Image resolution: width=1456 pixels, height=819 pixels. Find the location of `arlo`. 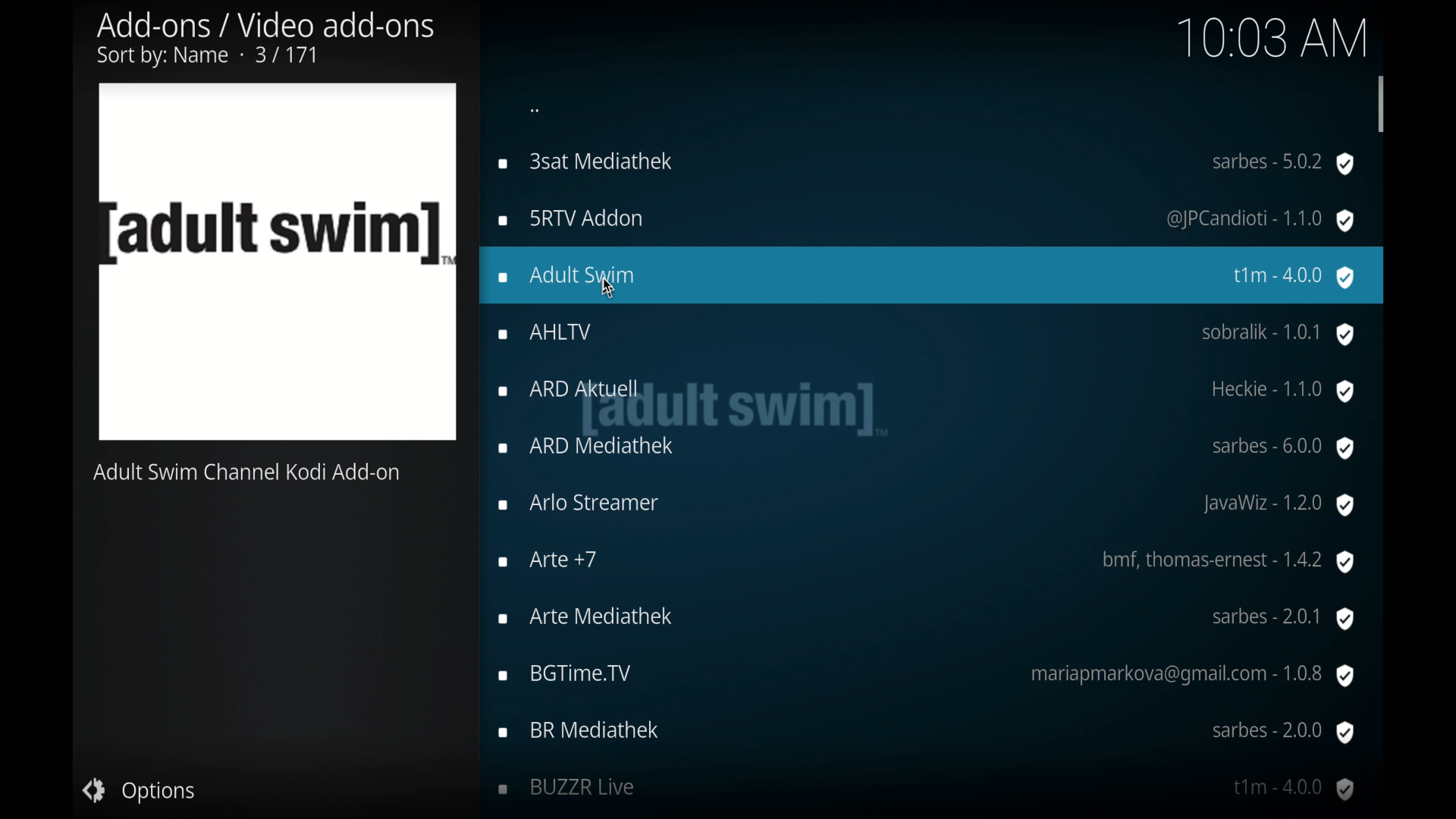

arlo is located at coordinates (925, 504).